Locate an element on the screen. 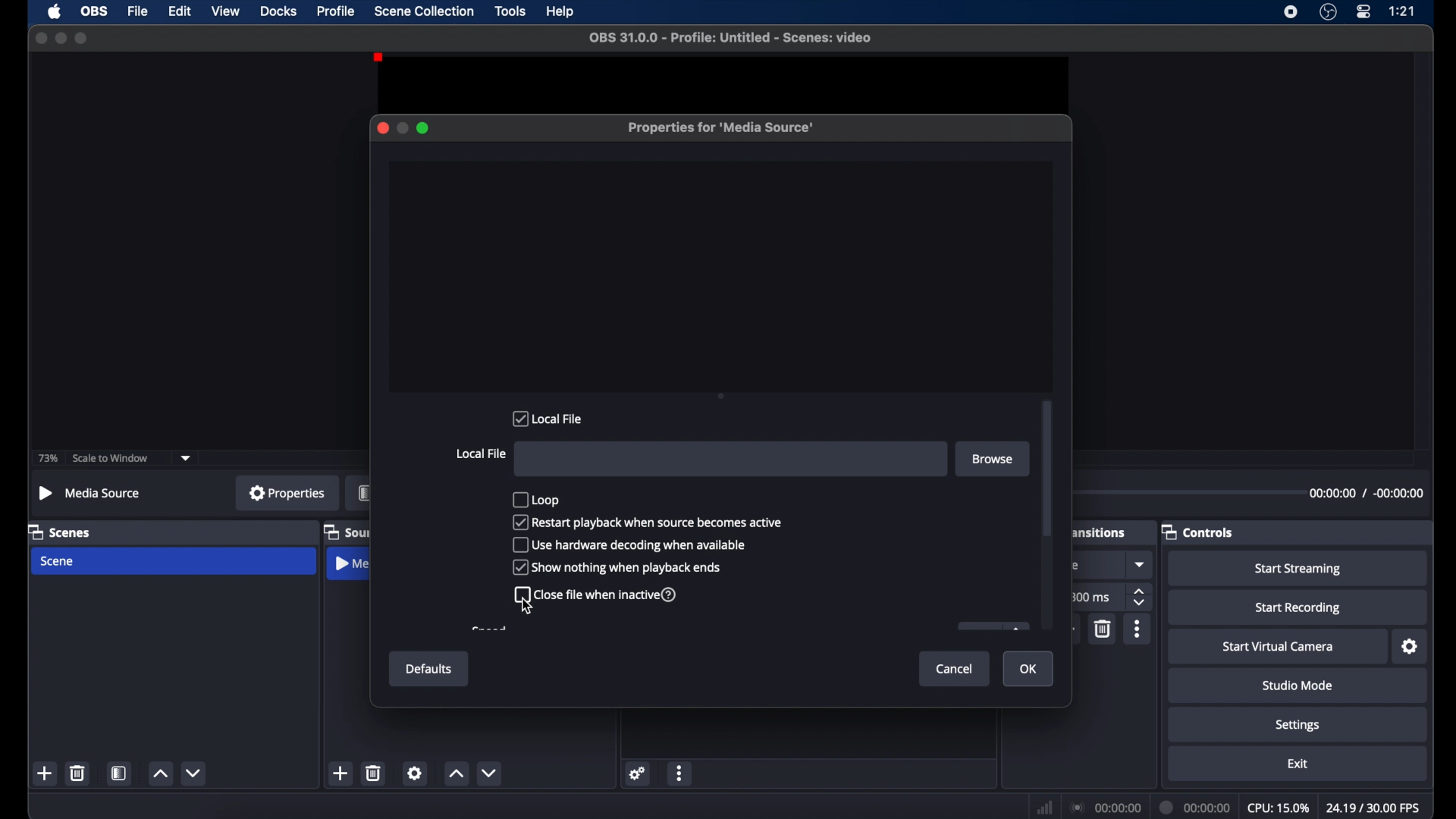  dropdown is located at coordinates (1141, 564).